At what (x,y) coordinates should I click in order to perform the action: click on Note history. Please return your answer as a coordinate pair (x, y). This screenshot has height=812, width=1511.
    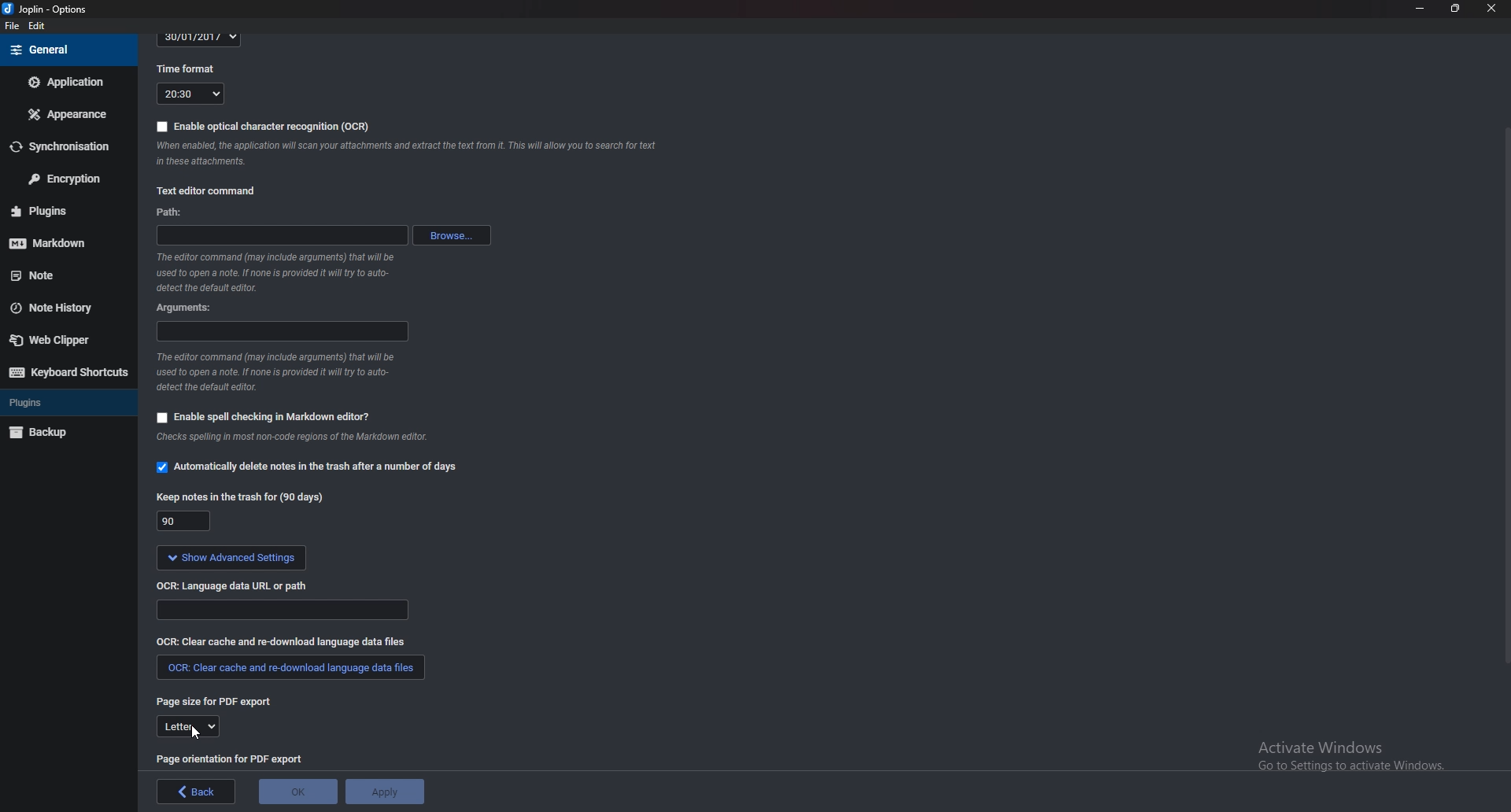
    Looking at the image, I should click on (59, 309).